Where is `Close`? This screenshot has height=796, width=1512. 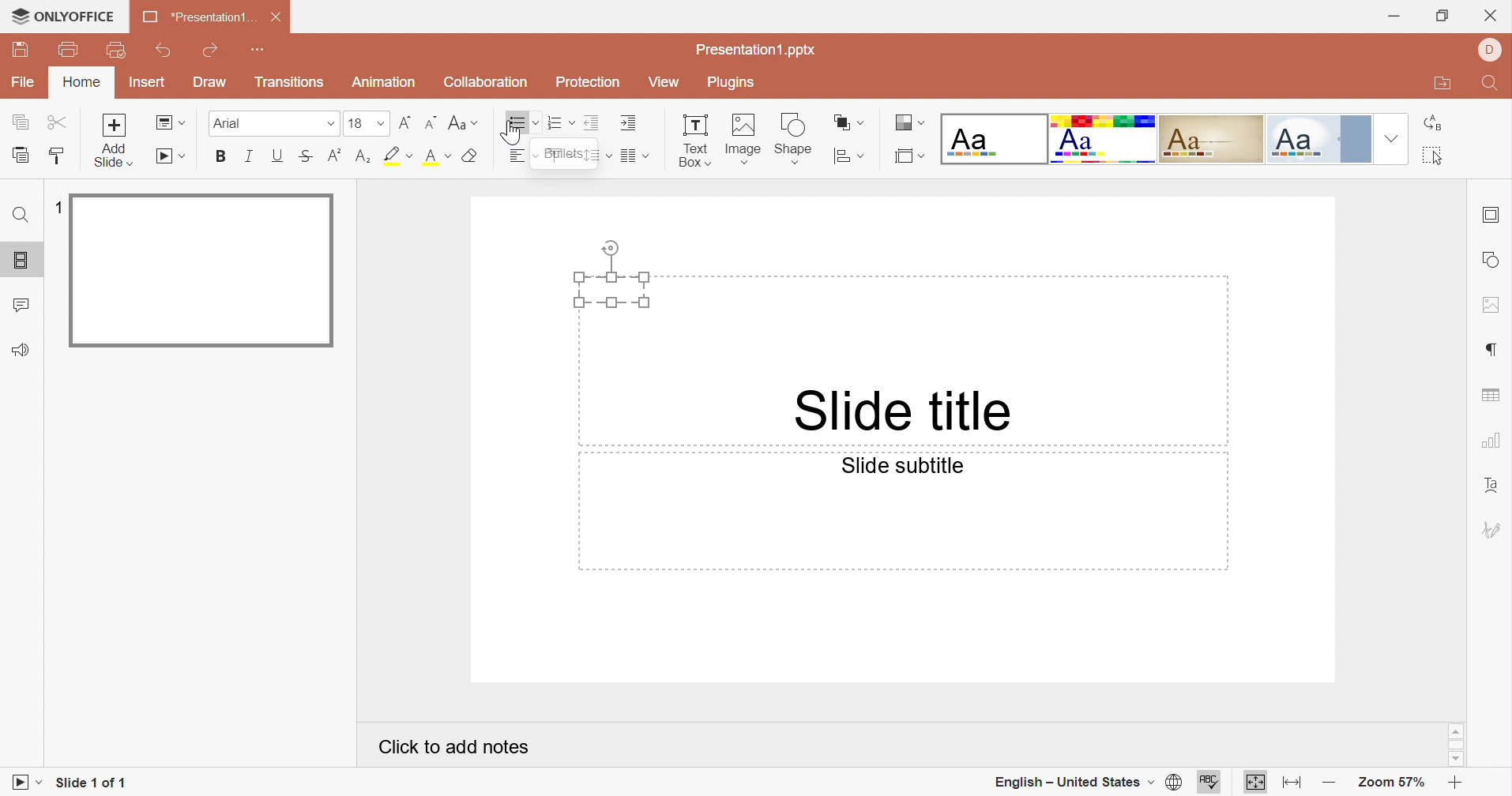 Close is located at coordinates (276, 21).